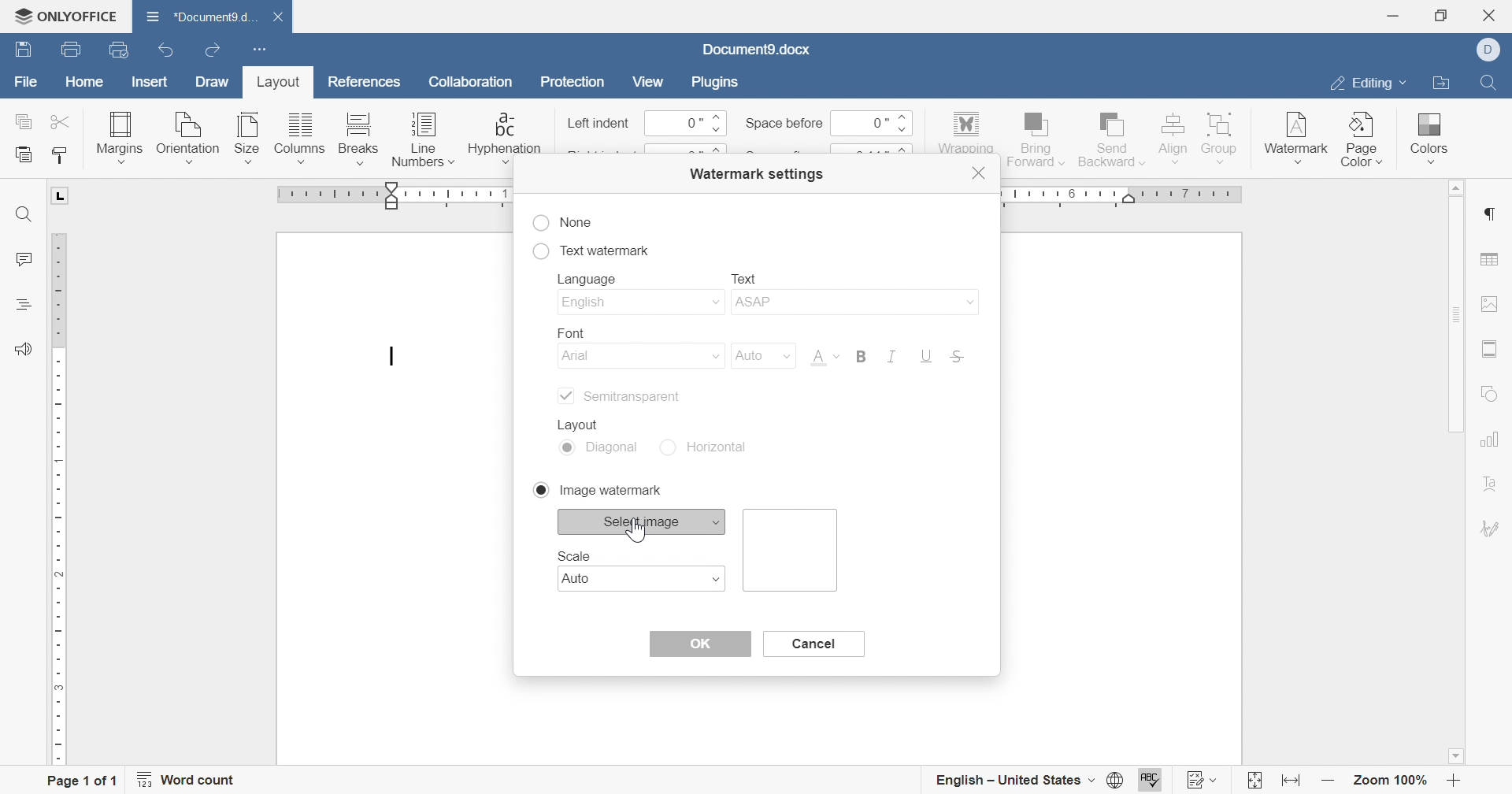 This screenshot has height=794, width=1512. Describe the element at coordinates (1492, 529) in the screenshot. I see `signature settings` at that location.